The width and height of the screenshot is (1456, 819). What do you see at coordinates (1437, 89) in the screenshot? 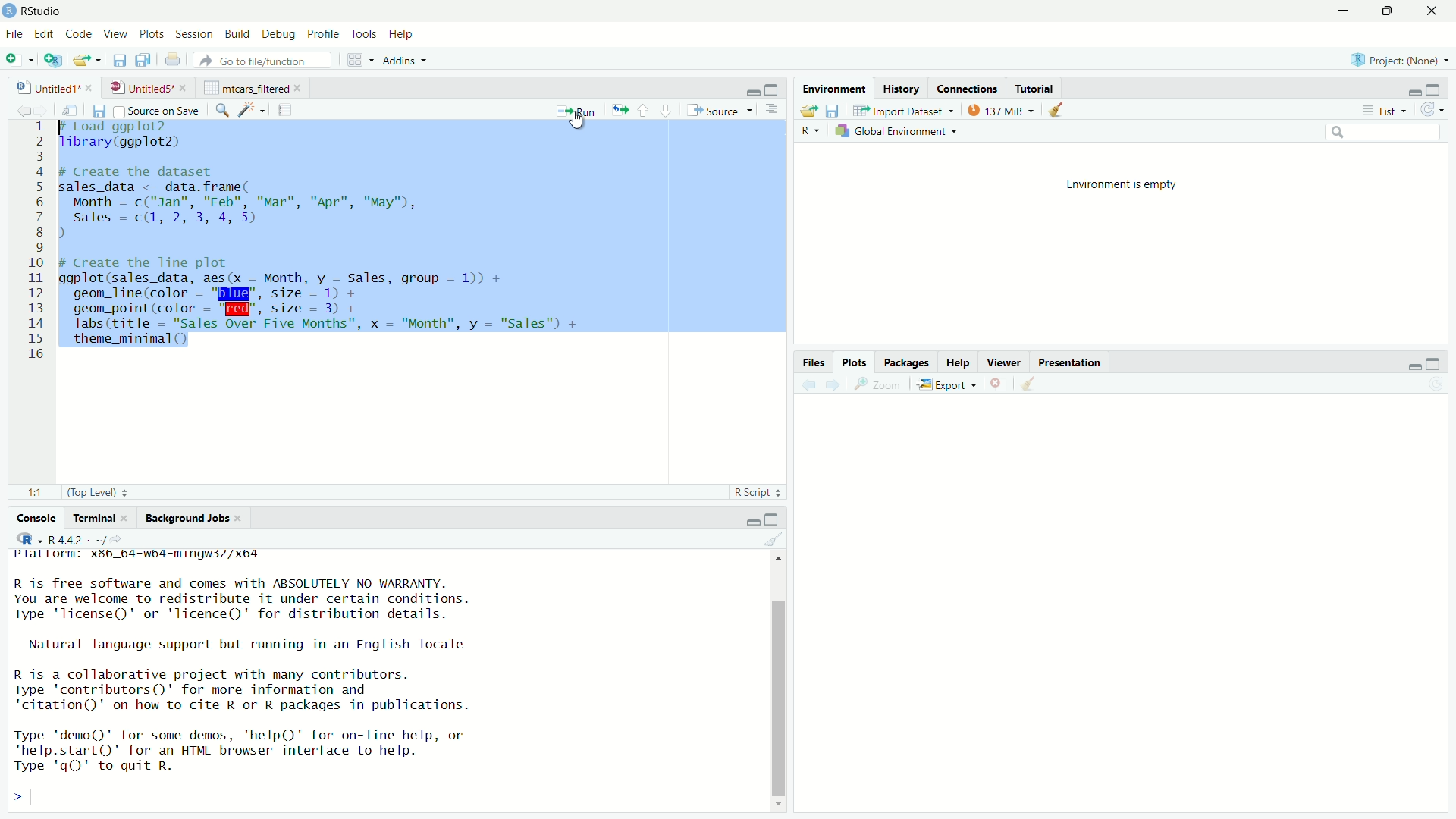
I see `maximize` at bounding box center [1437, 89].